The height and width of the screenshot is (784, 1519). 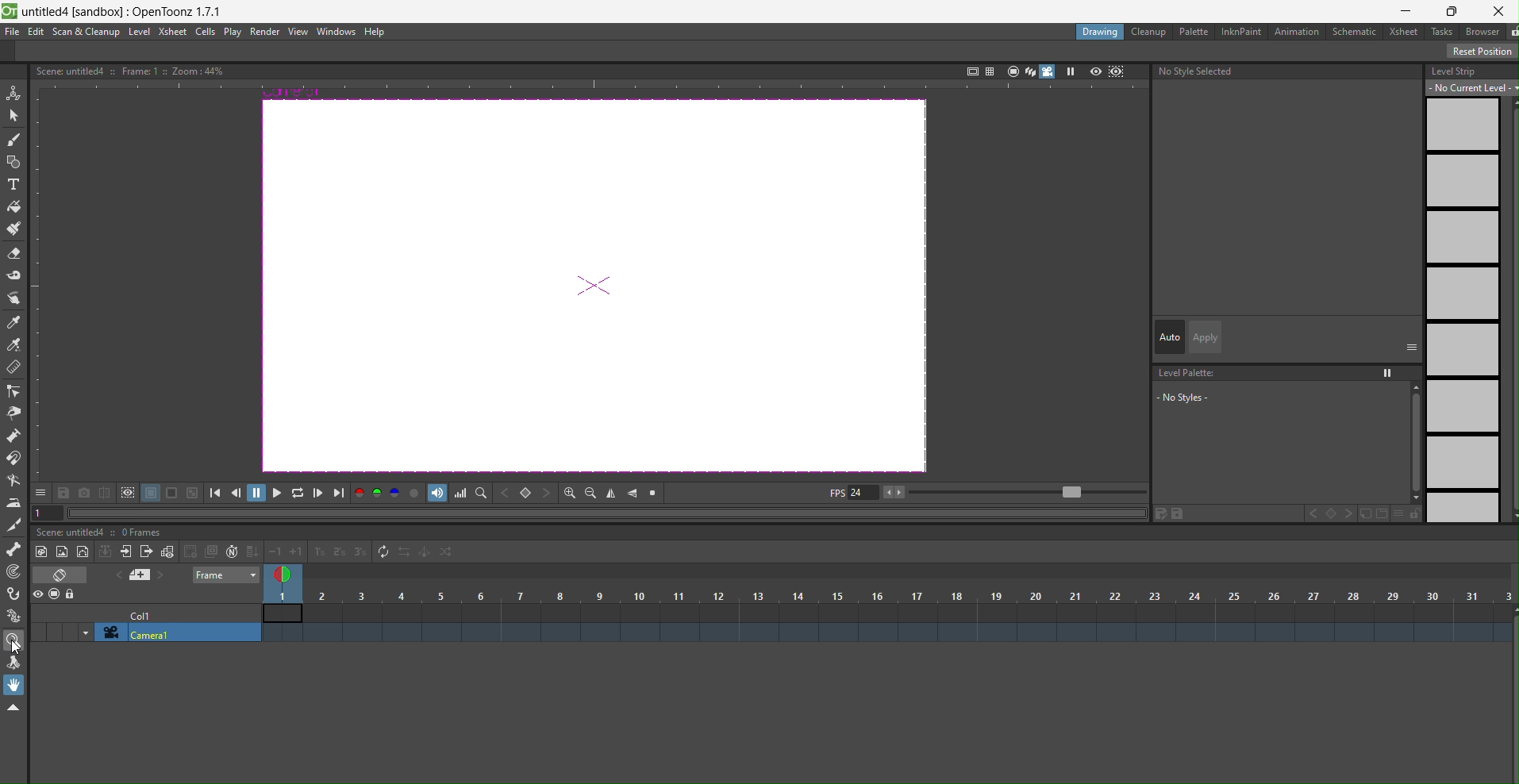 What do you see at coordinates (129, 71) in the screenshot?
I see `text` at bounding box center [129, 71].